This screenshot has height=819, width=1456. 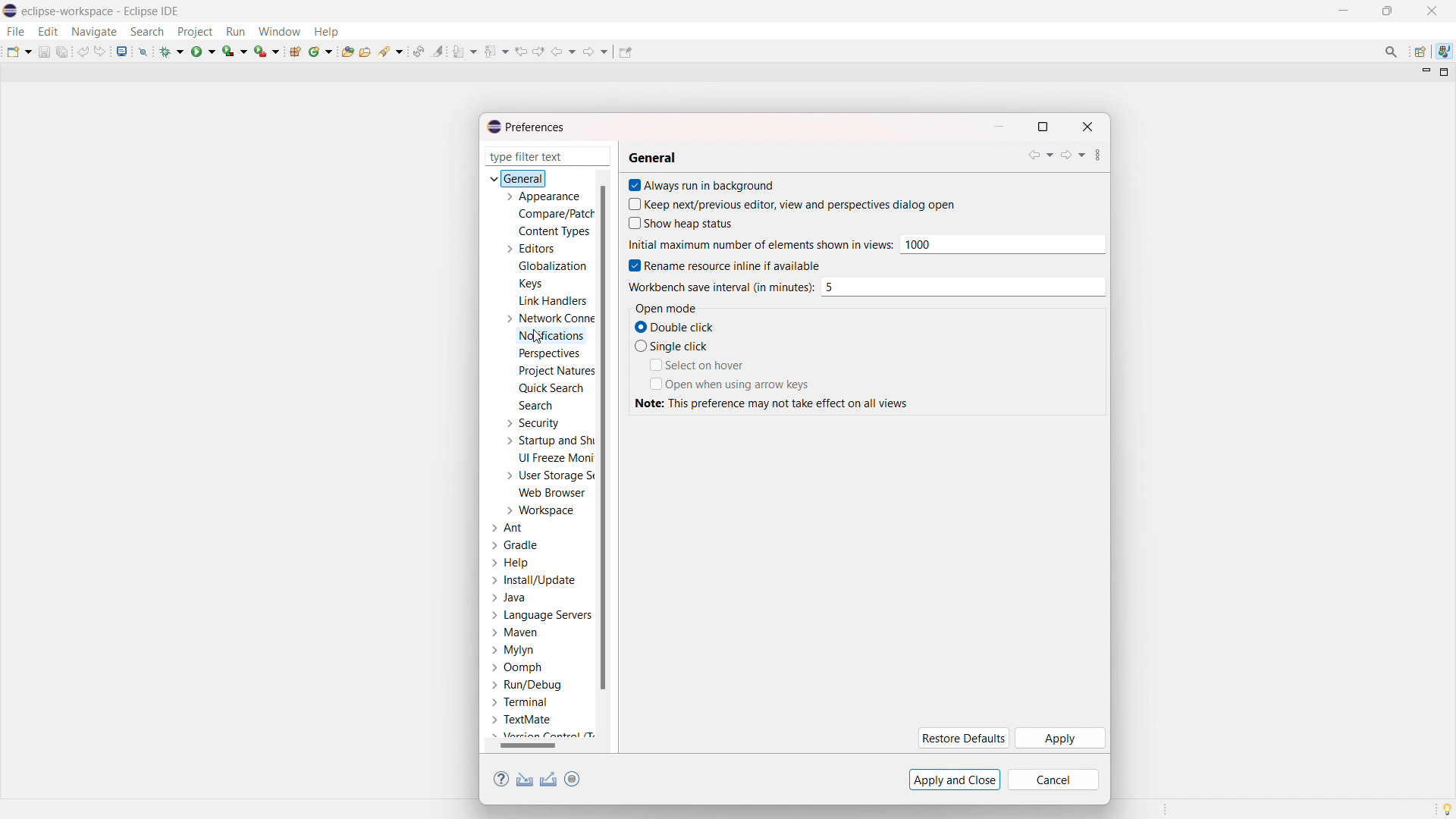 I want to click on run, so click(x=203, y=51).